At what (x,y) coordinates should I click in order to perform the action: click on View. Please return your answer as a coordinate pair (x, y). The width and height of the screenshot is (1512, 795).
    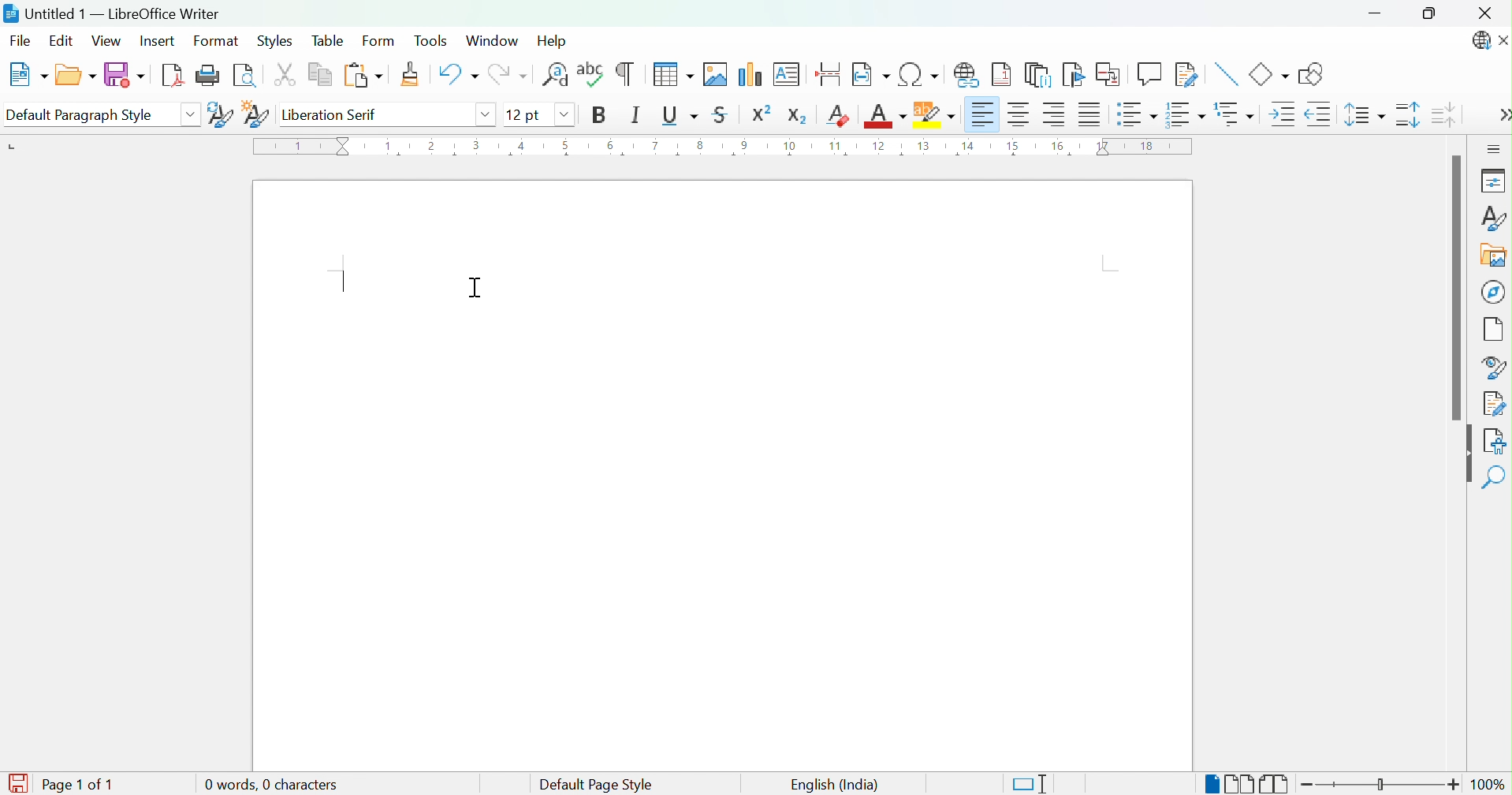
    Looking at the image, I should click on (107, 42).